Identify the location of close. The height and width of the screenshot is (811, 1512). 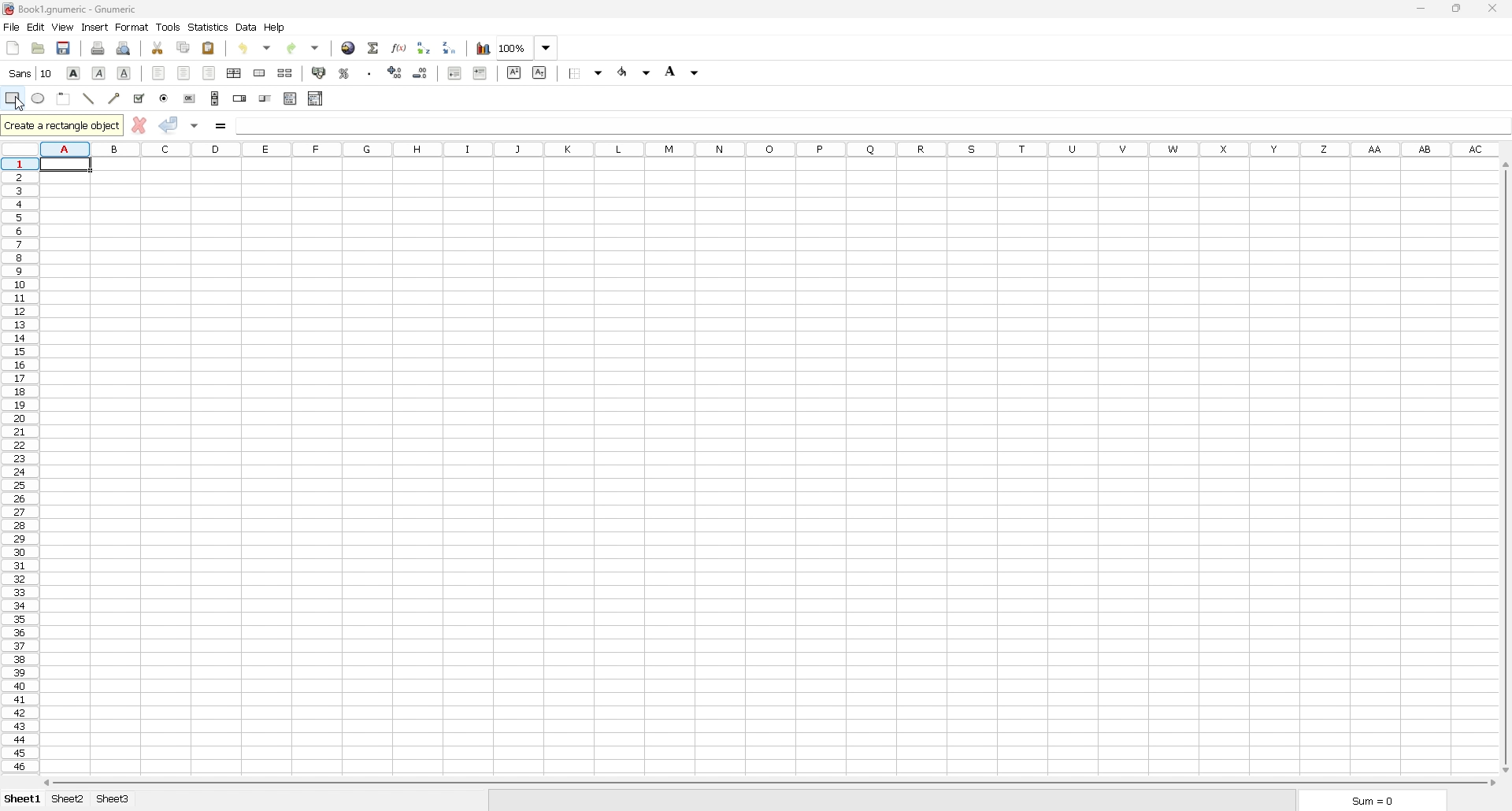
(1492, 8).